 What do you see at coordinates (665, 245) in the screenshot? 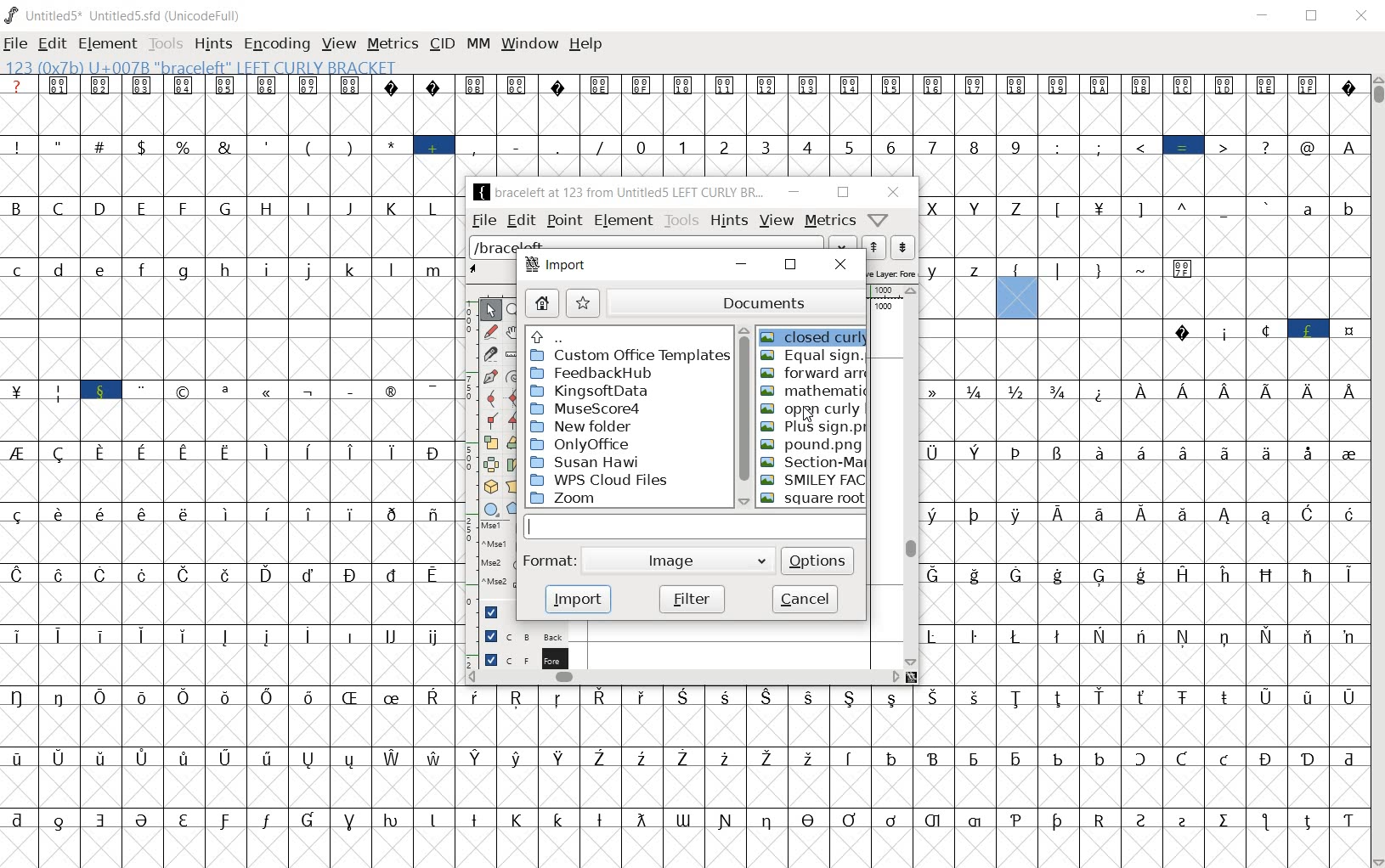
I see `load word list` at bounding box center [665, 245].